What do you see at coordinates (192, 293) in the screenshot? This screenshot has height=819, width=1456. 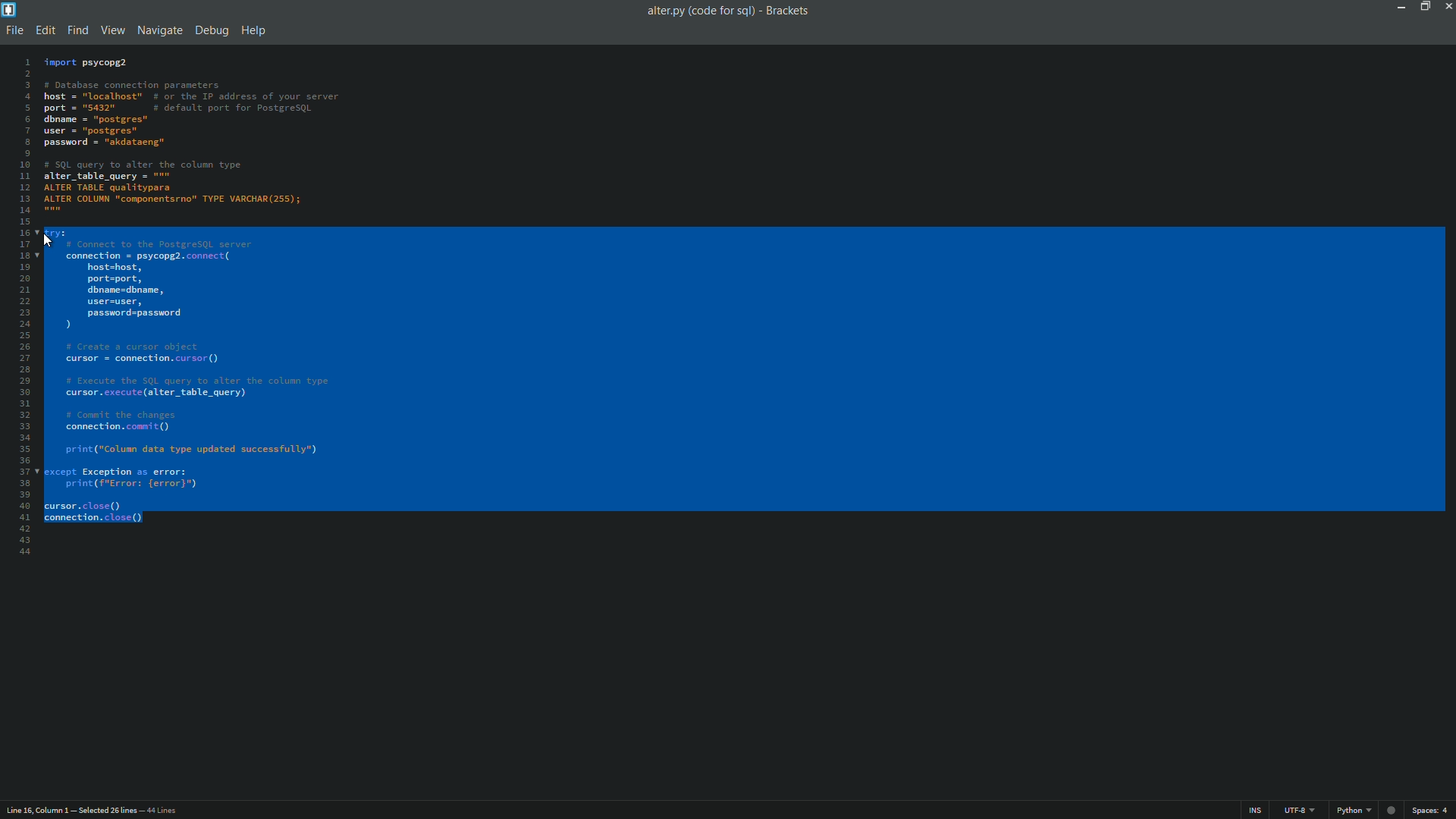 I see `code` at bounding box center [192, 293].